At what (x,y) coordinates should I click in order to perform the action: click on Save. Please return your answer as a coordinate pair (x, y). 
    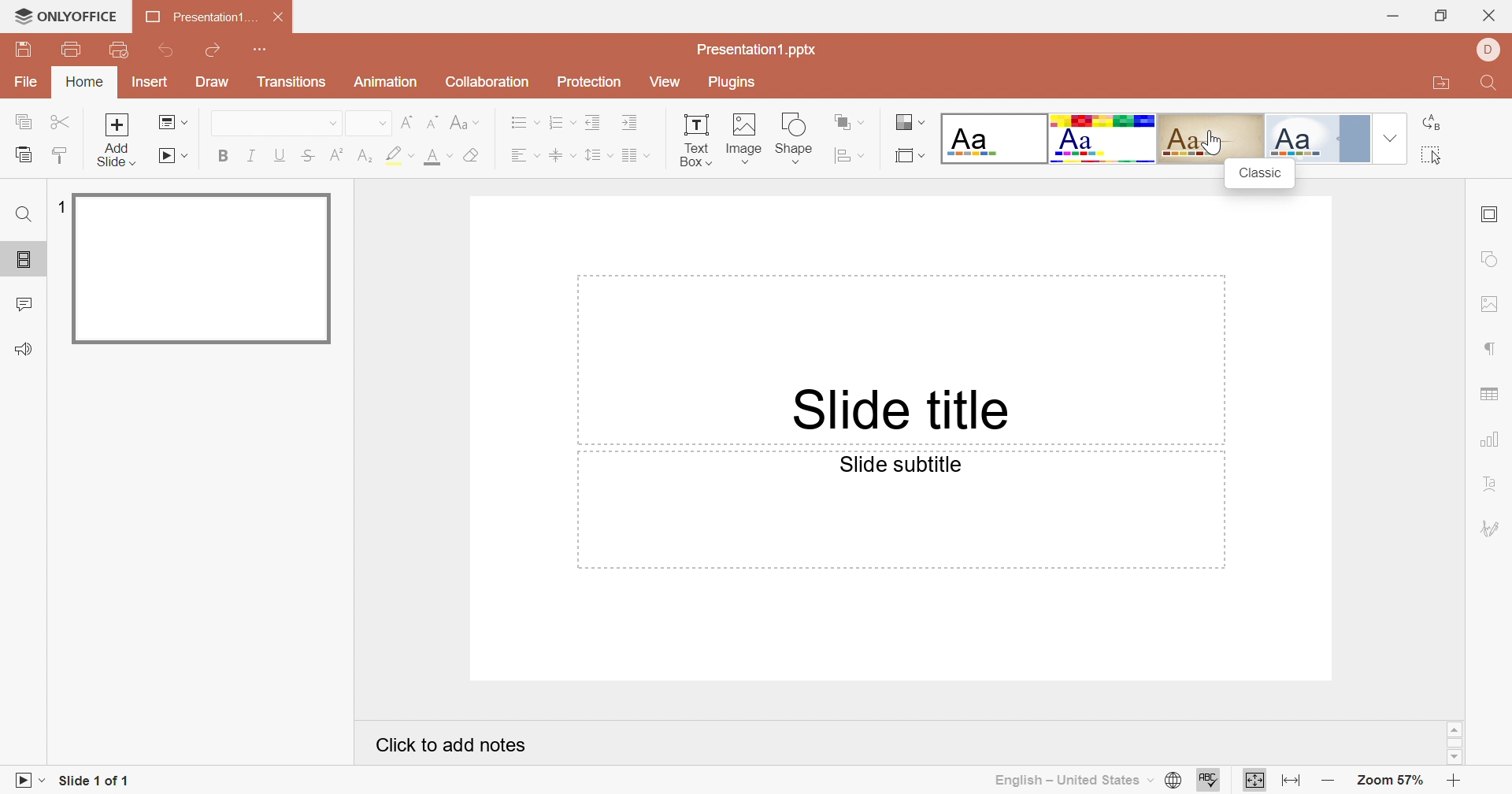
    Looking at the image, I should click on (21, 49).